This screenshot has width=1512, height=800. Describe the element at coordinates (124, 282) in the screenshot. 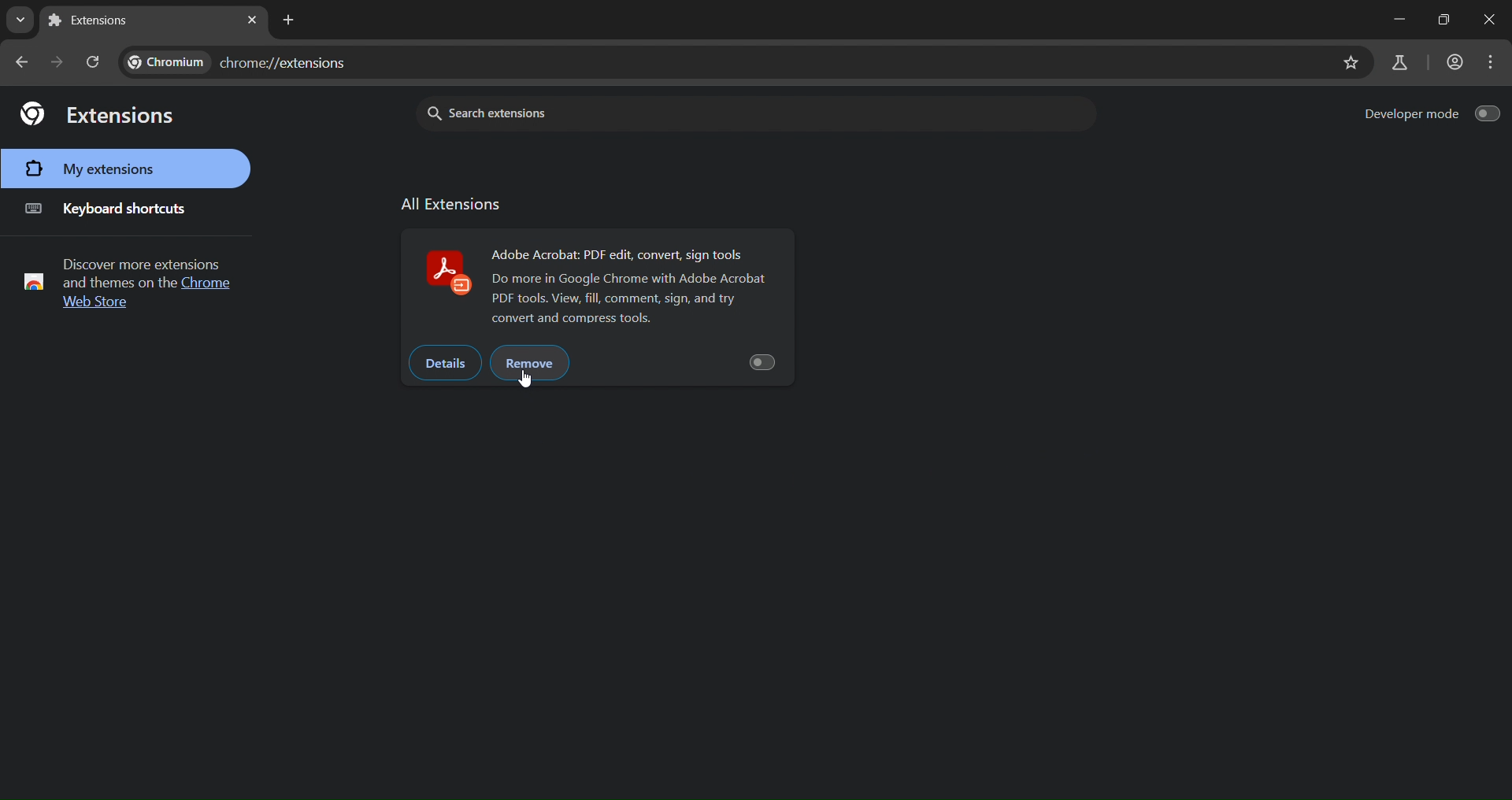

I see `Discover more extensions and themes text` at that location.